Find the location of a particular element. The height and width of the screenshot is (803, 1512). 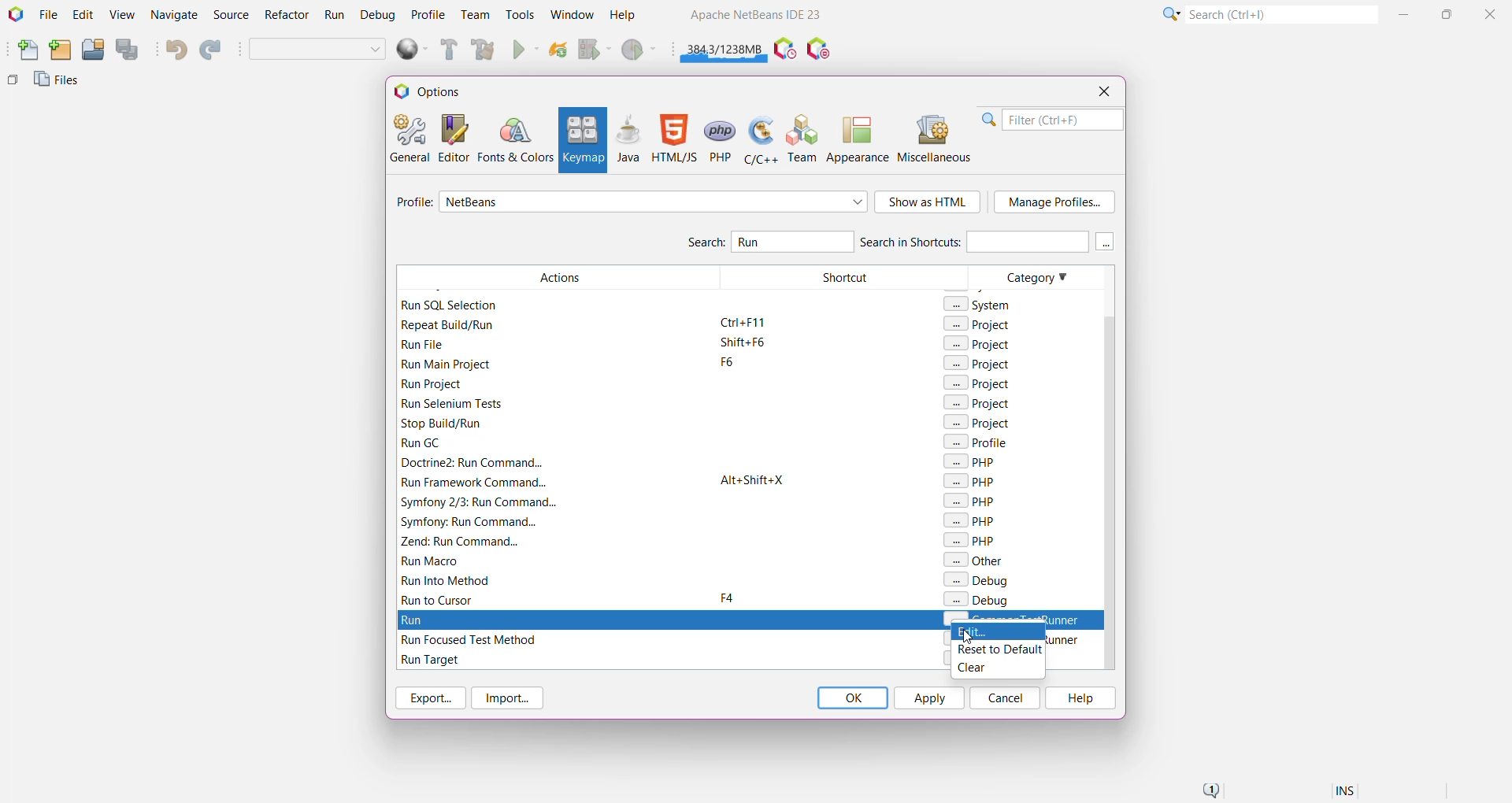

Manage Profile is located at coordinates (1054, 202).